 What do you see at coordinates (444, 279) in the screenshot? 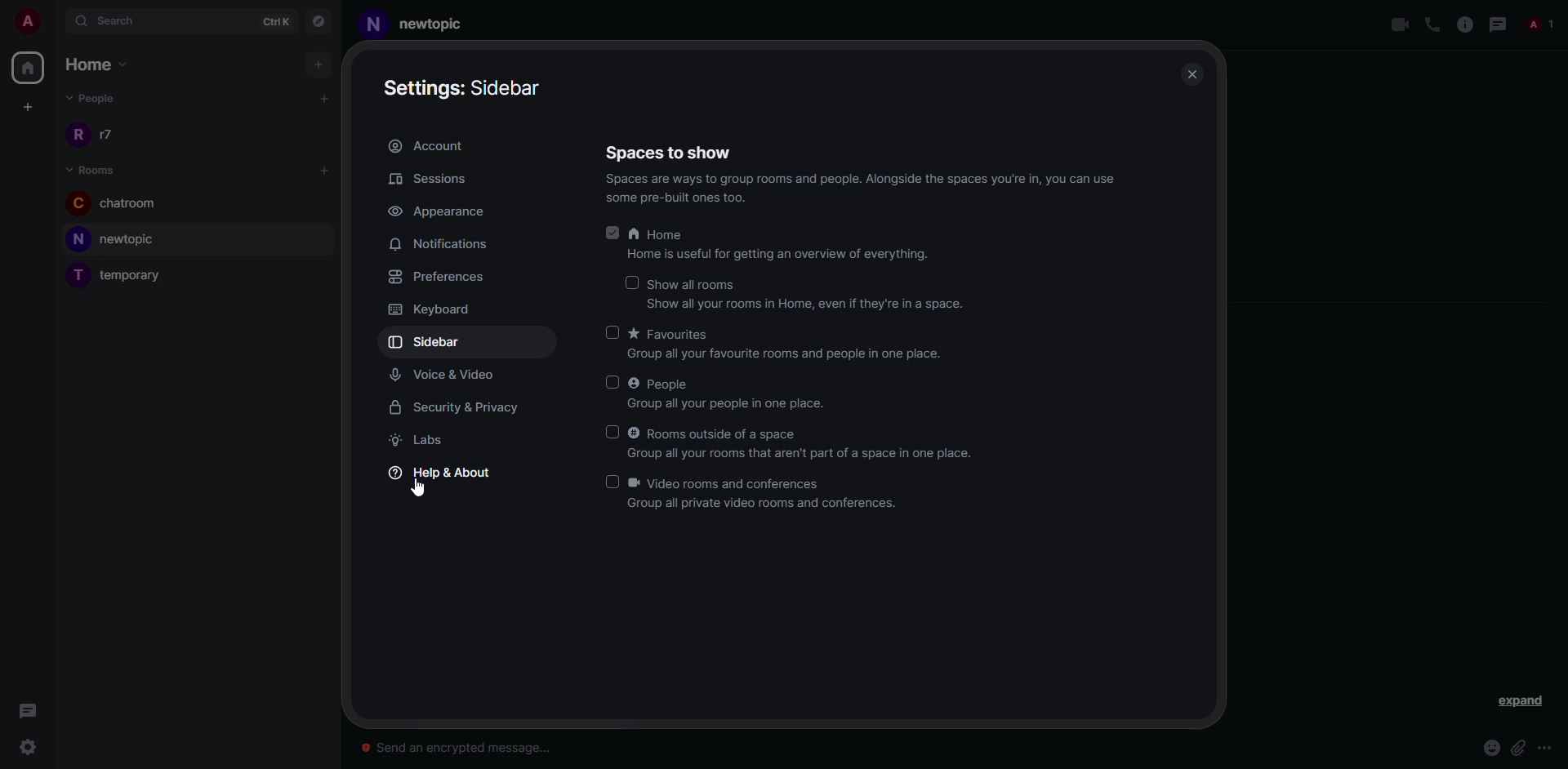
I see `preferences` at bounding box center [444, 279].